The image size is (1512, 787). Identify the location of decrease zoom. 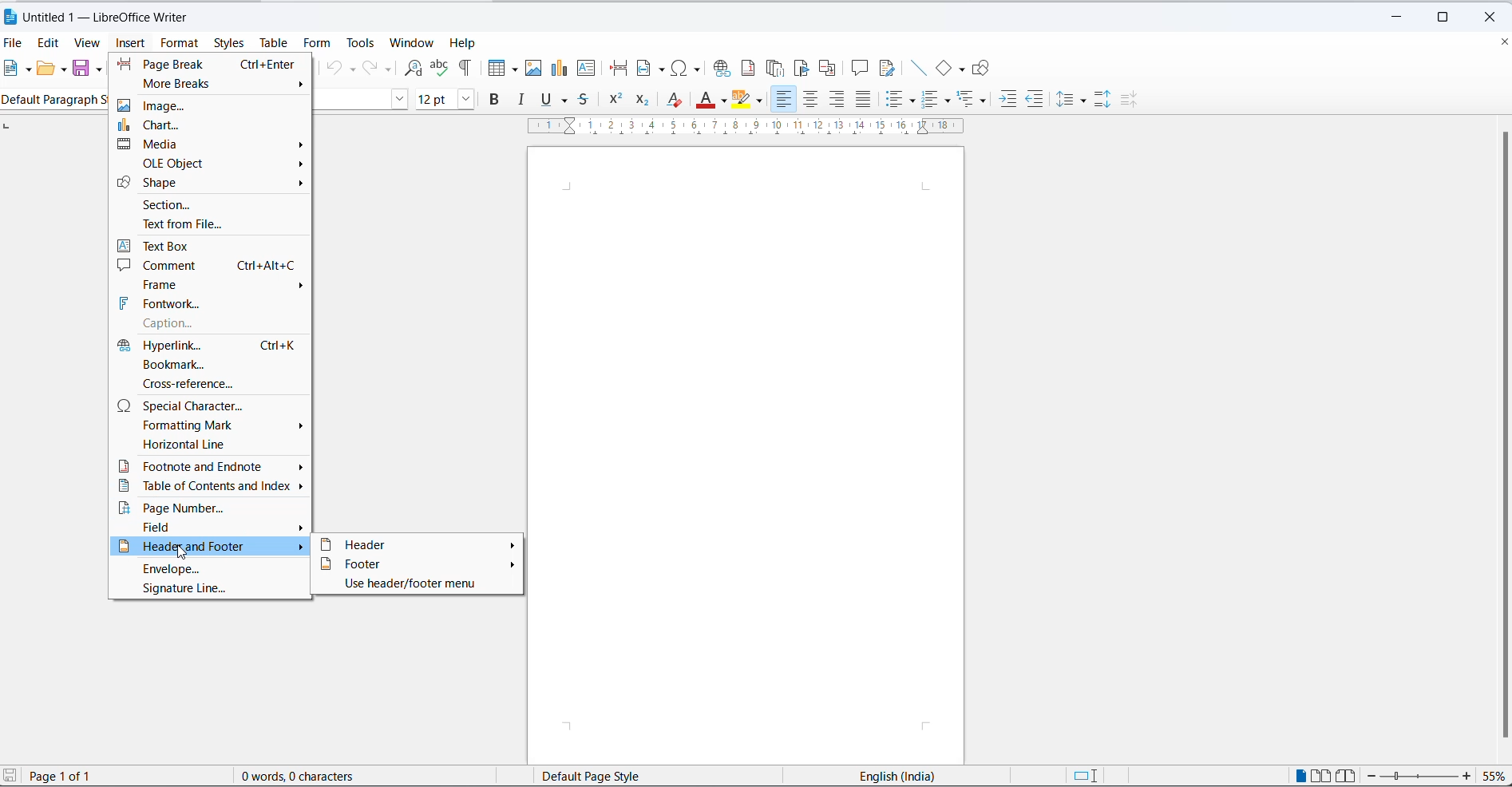
(1375, 776).